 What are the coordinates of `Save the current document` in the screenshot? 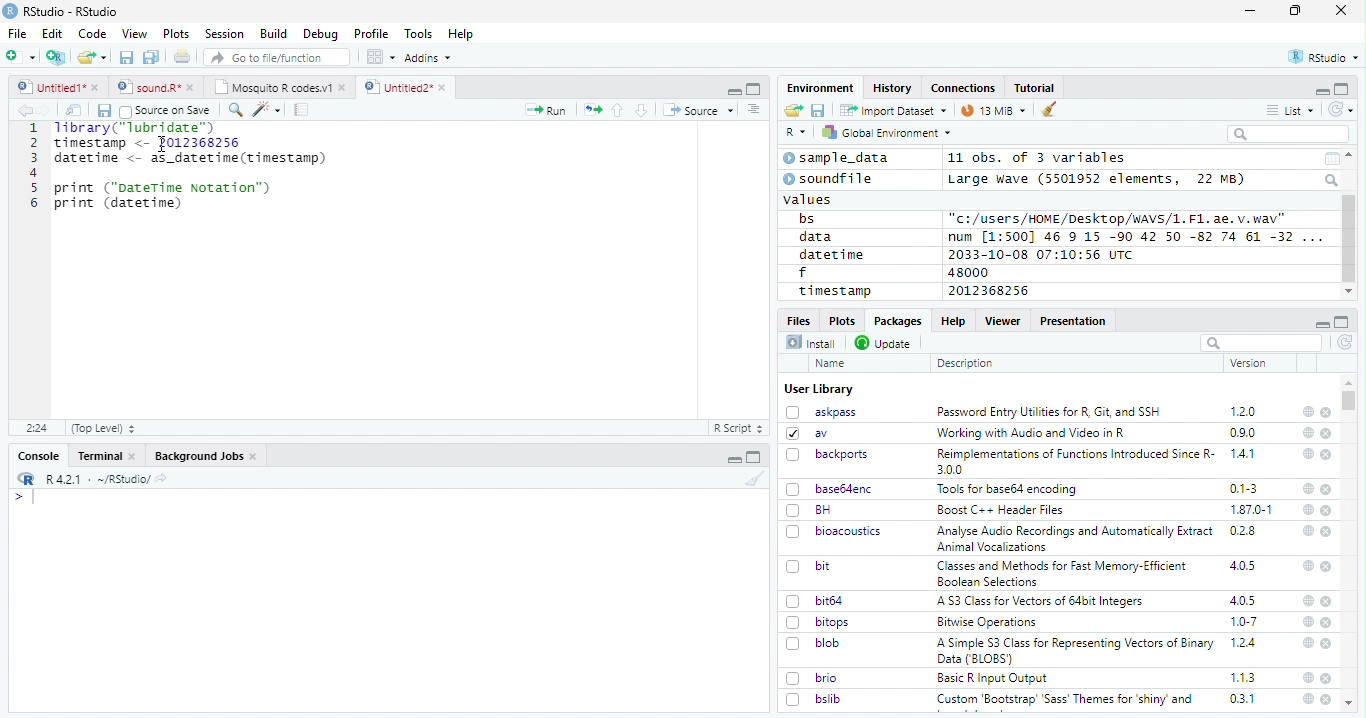 It's located at (127, 58).